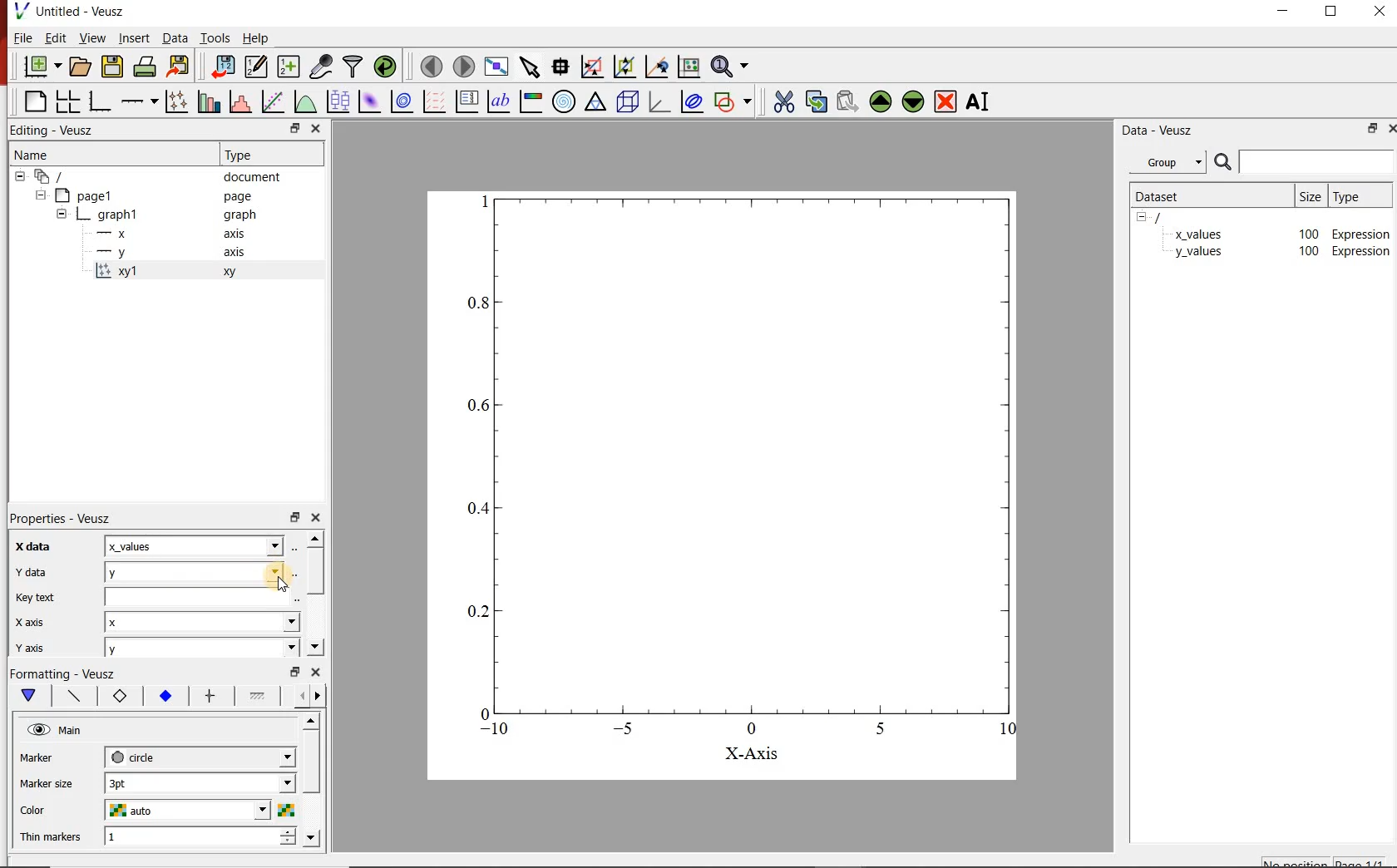 This screenshot has width=1397, height=868. Describe the element at coordinates (1311, 196) in the screenshot. I see `size ` at that location.